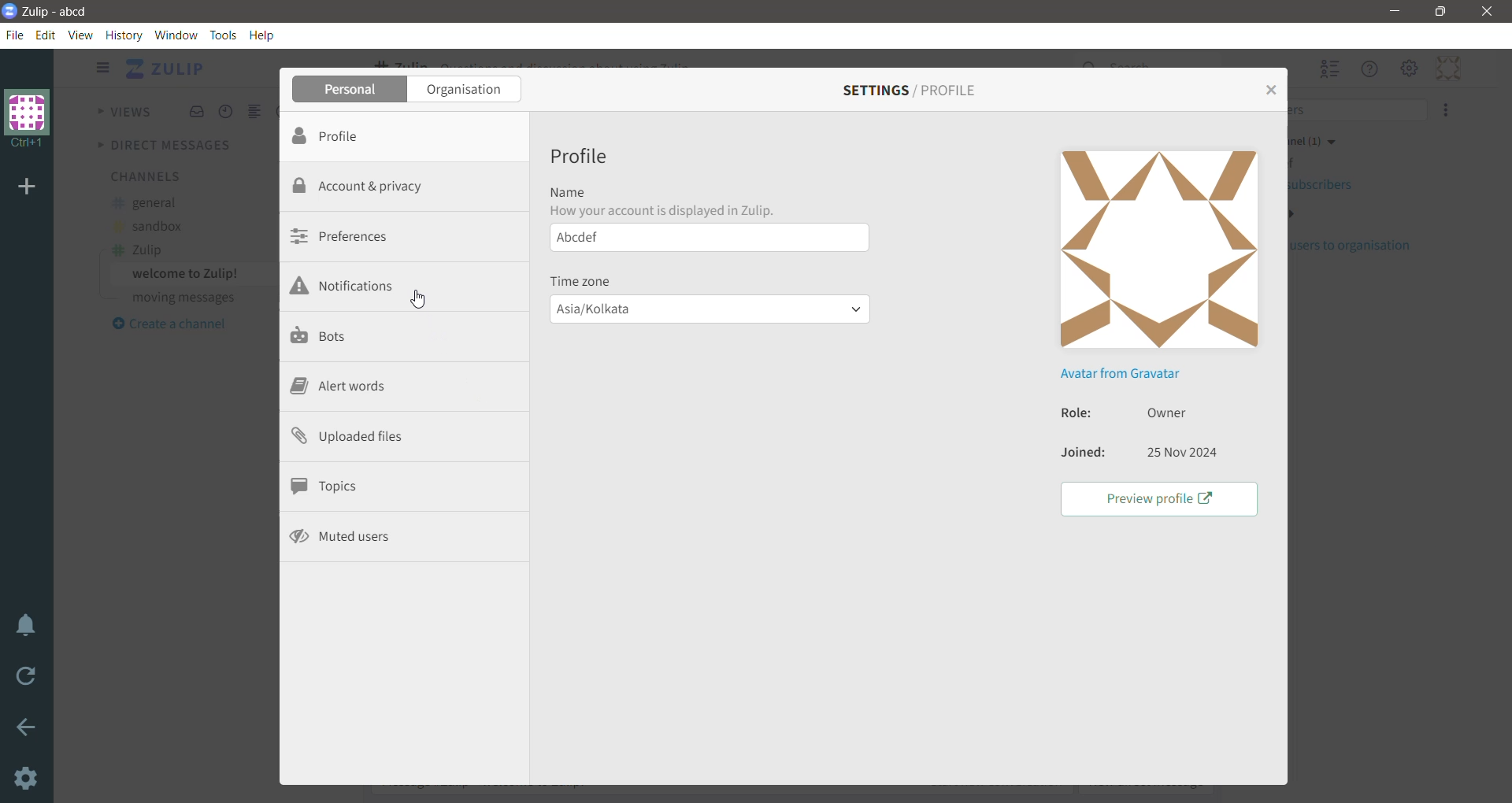 This screenshot has height=803, width=1512. What do you see at coordinates (710, 312) in the screenshot?
I see `Asia/Kolkata (Set Time zone)` at bounding box center [710, 312].